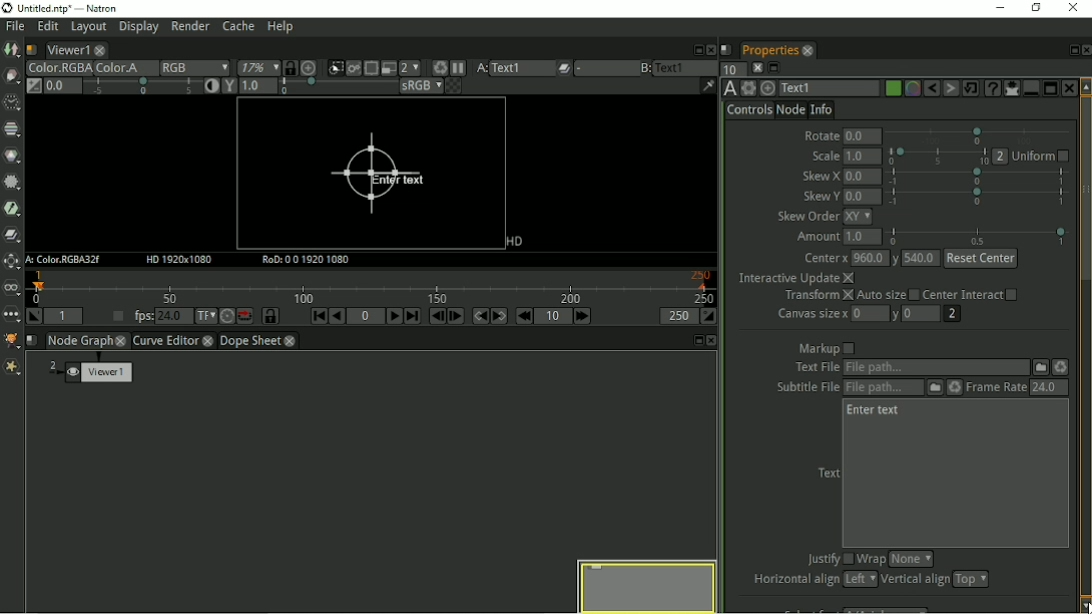 This screenshot has width=1092, height=614. What do you see at coordinates (554, 316) in the screenshot?
I see `Frame increment` at bounding box center [554, 316].